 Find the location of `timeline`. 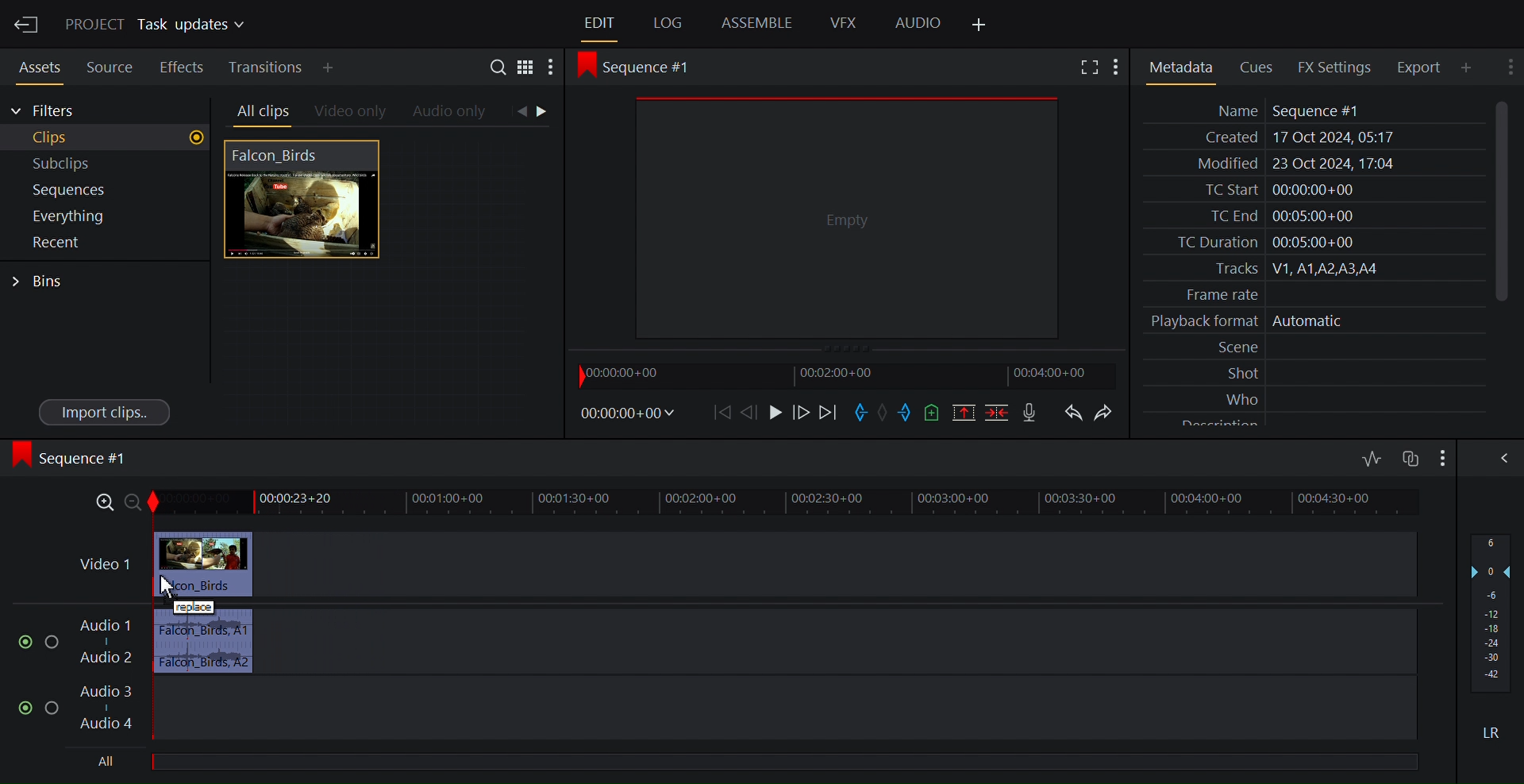

timeline is located at coordinates (811, 502).